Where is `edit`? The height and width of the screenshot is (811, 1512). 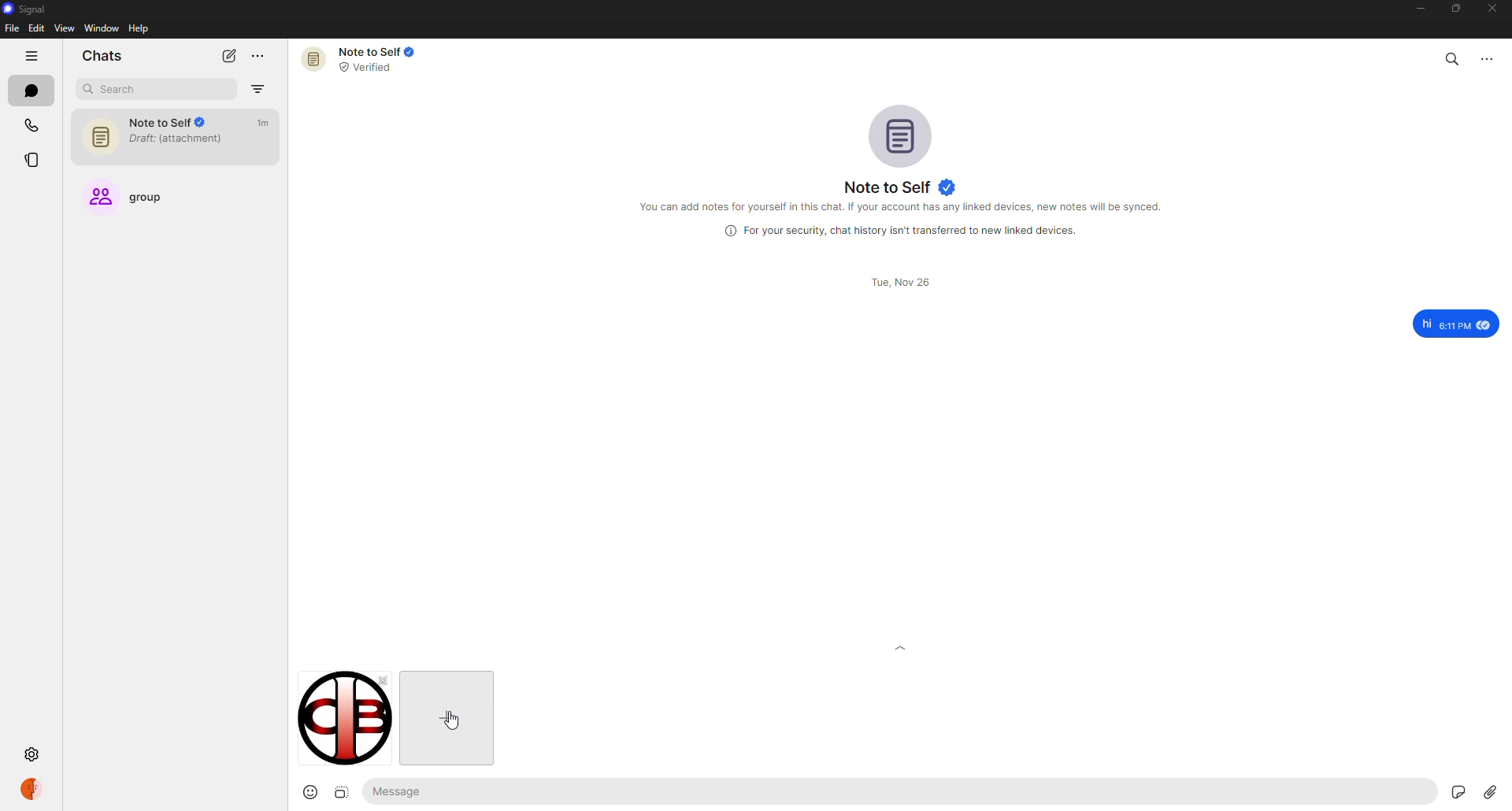 edit is located at coordinates (37, 28).